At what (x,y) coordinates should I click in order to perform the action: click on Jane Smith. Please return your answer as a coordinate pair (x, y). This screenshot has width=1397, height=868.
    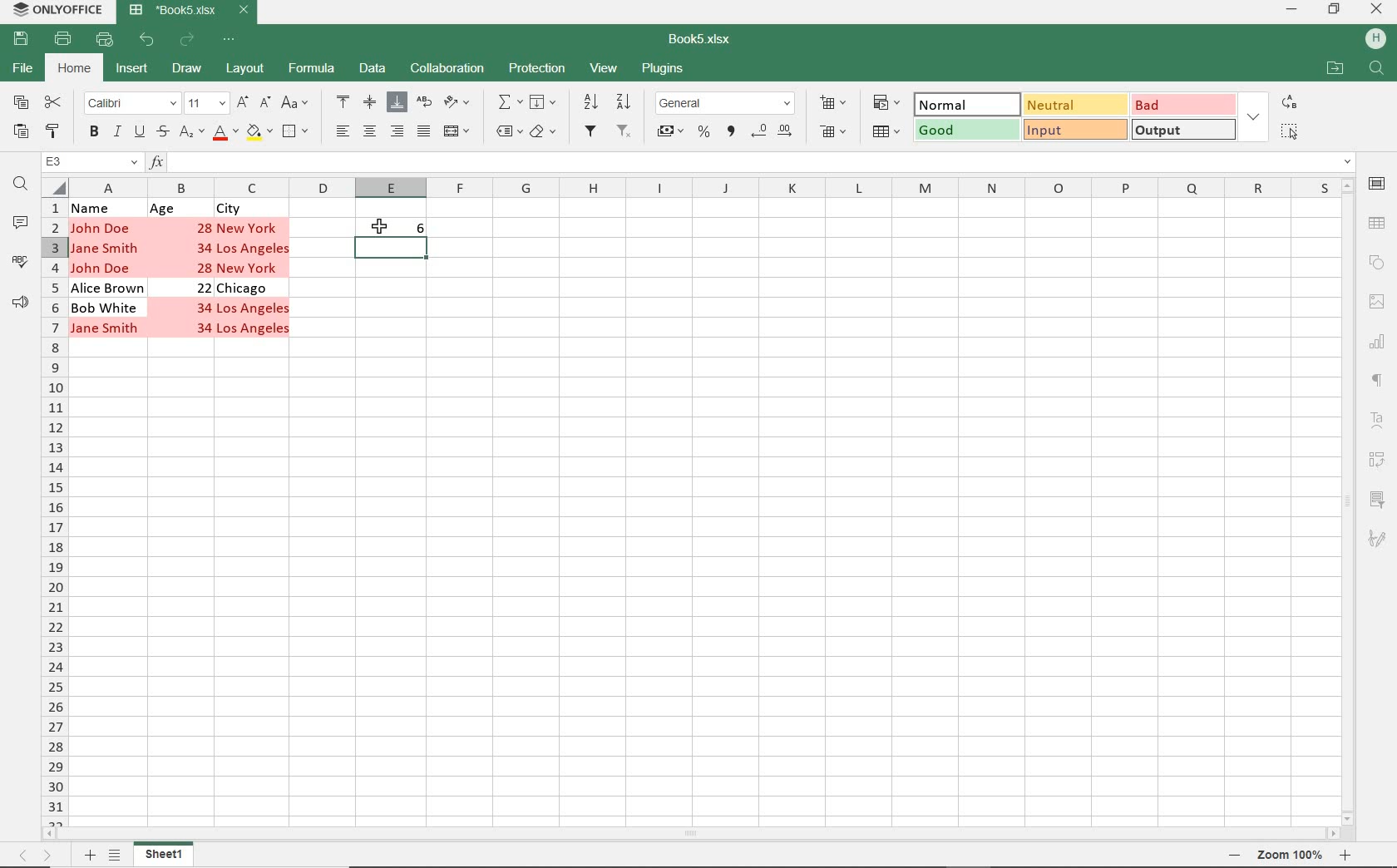
    Looking at the image, I should click on (107, 247).